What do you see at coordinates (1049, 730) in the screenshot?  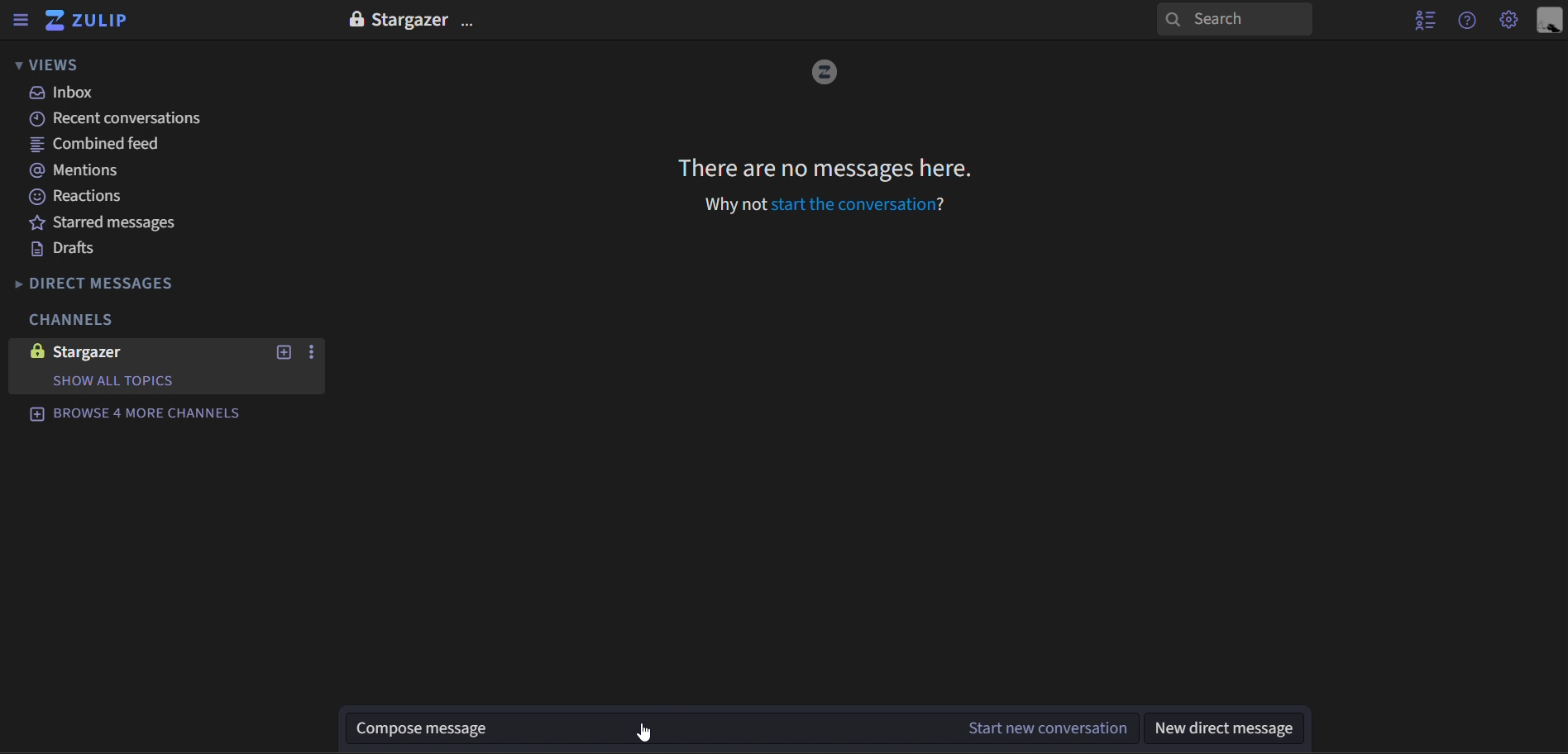 I see `start new conversation` at bounding box center [1049, 730].